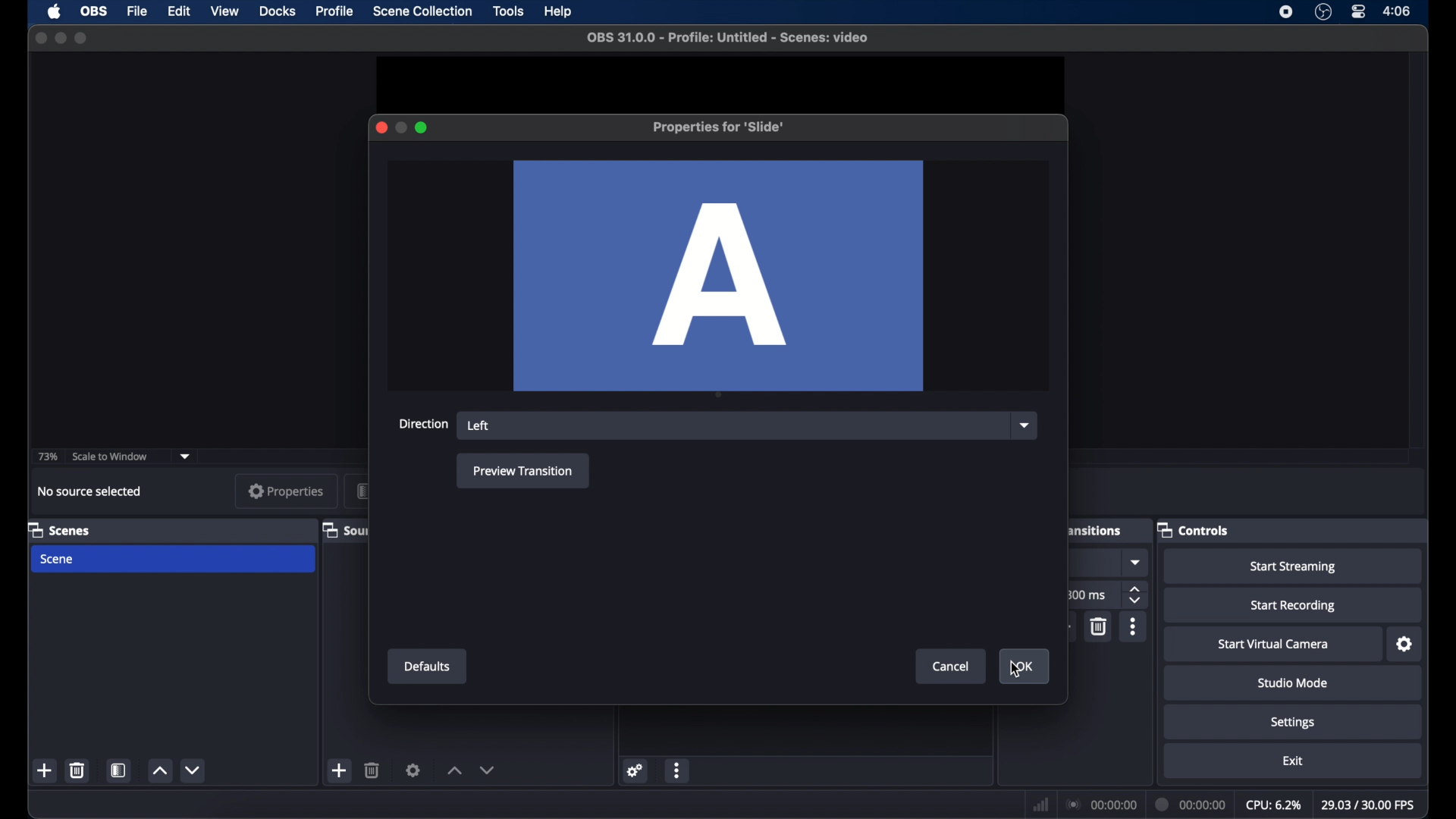 The image size is (1456, 819). What do you see at coordinates (678, 770) in the screenshot?
I see `more options` at bounding box center [678, 770].